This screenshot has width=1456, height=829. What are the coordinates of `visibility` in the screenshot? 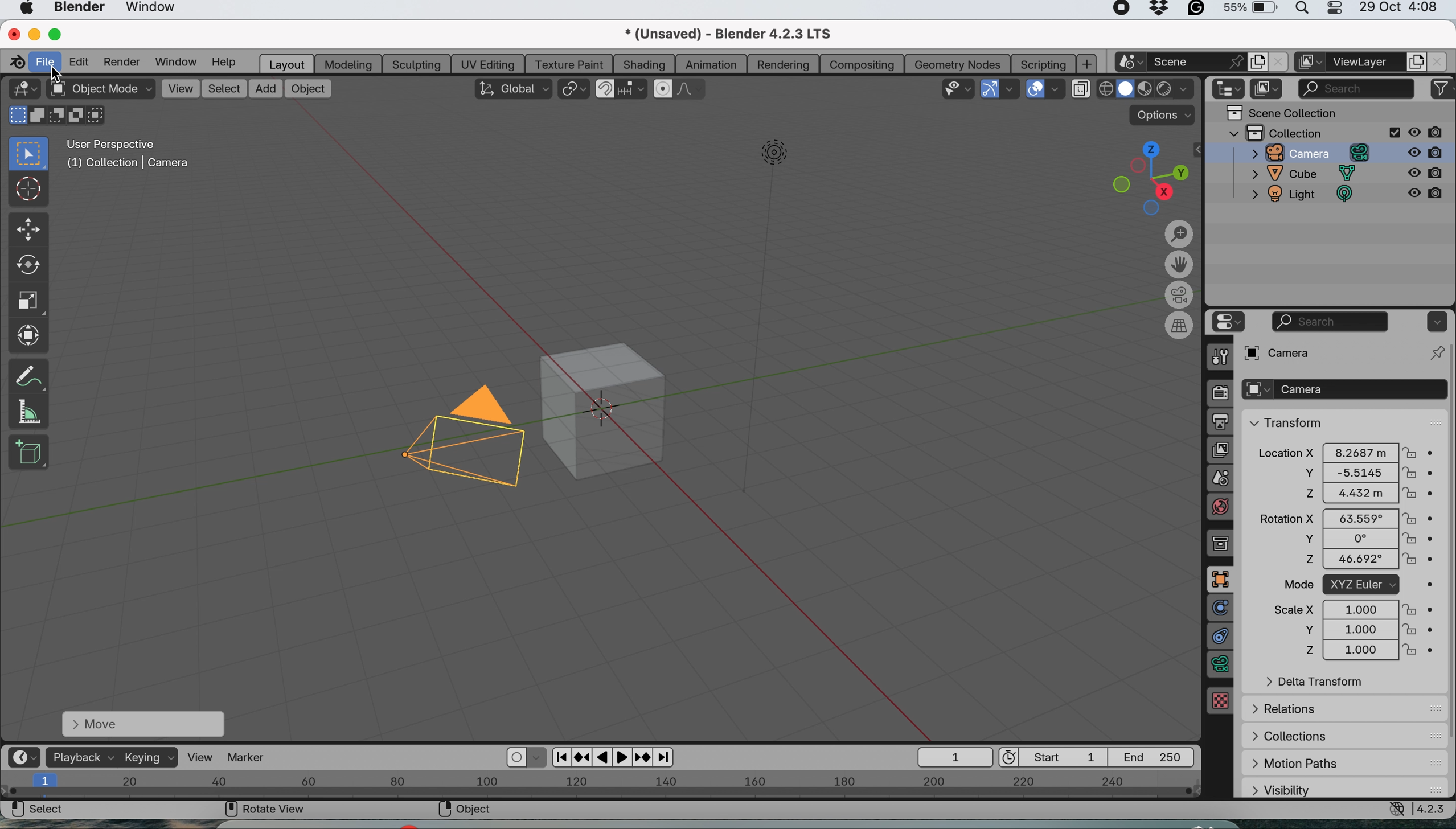 It's located at (1307, 789).